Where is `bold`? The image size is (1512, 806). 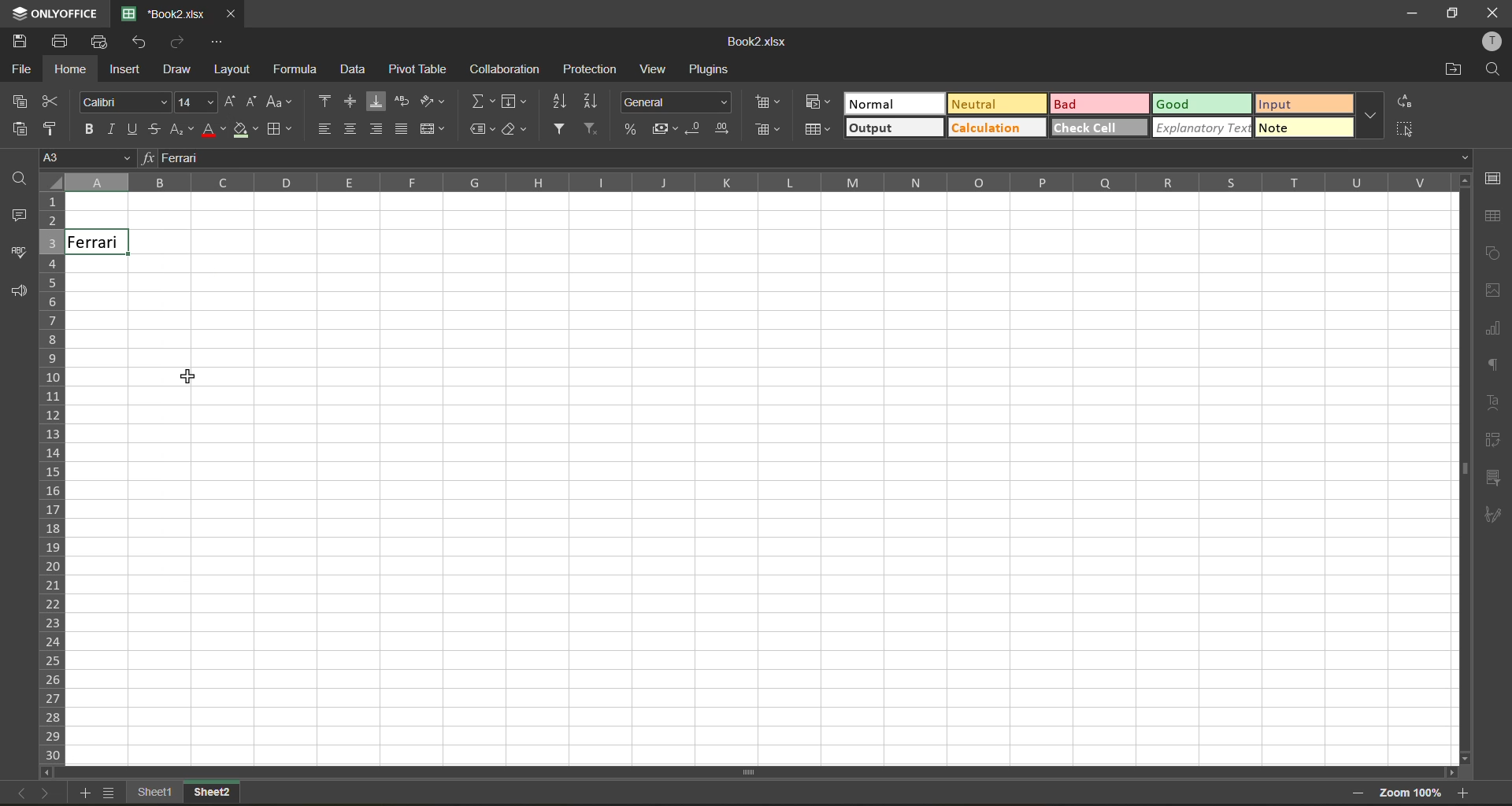 bold is located at coordinates (87, 130).